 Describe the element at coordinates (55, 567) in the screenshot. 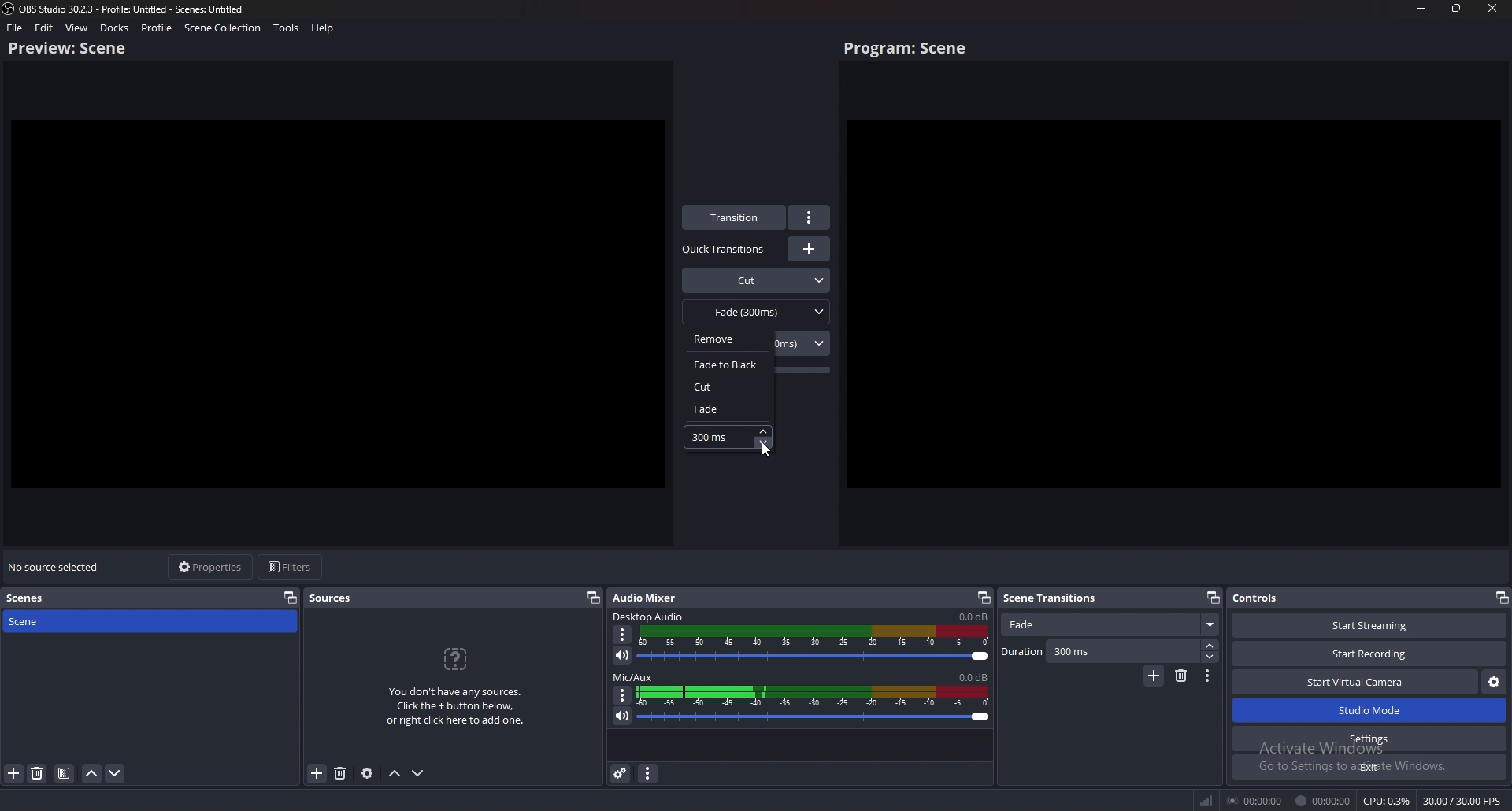

I see `no source selected` at that location.